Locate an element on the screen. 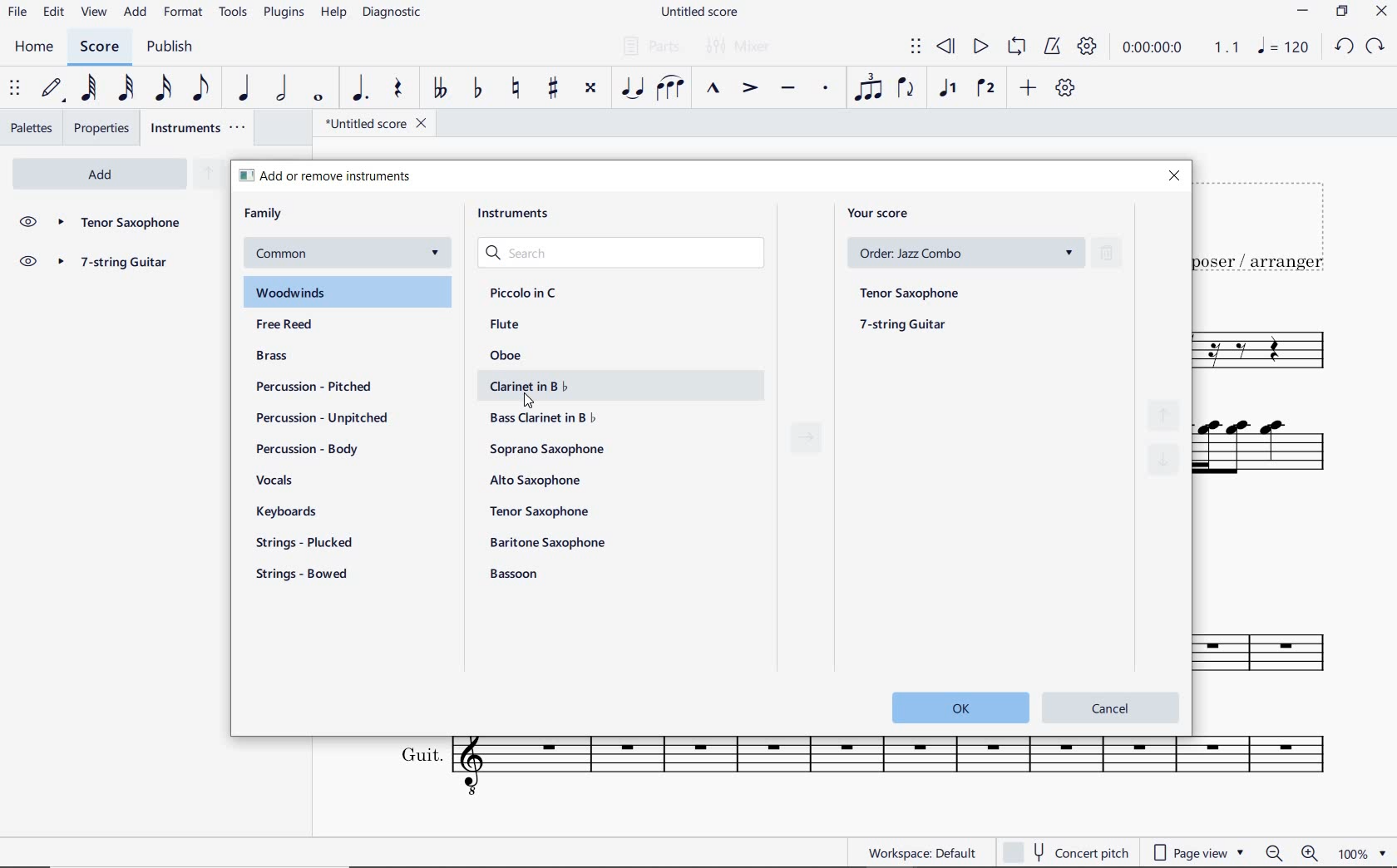 Image resolution: width=1397 pixels, height=868 pixels. cursor is located at coordinates (530, 402).